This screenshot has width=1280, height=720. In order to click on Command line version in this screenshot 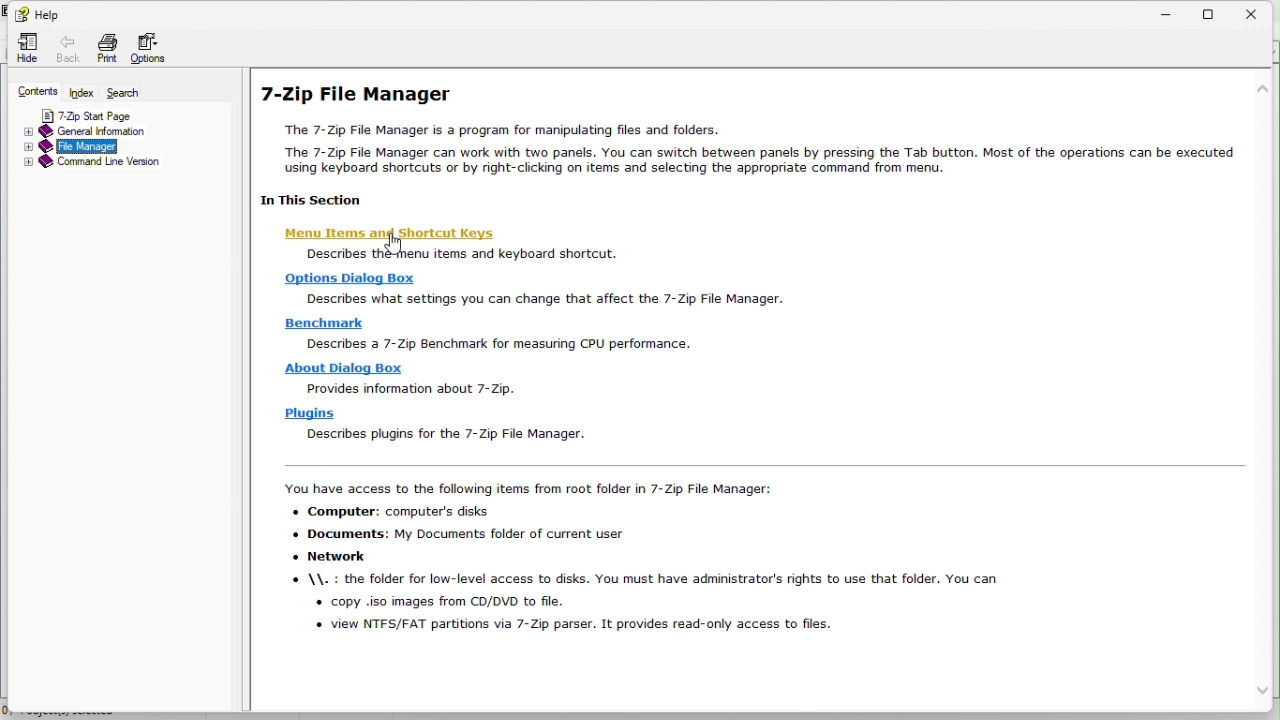, I will do `click(118, 164)`.